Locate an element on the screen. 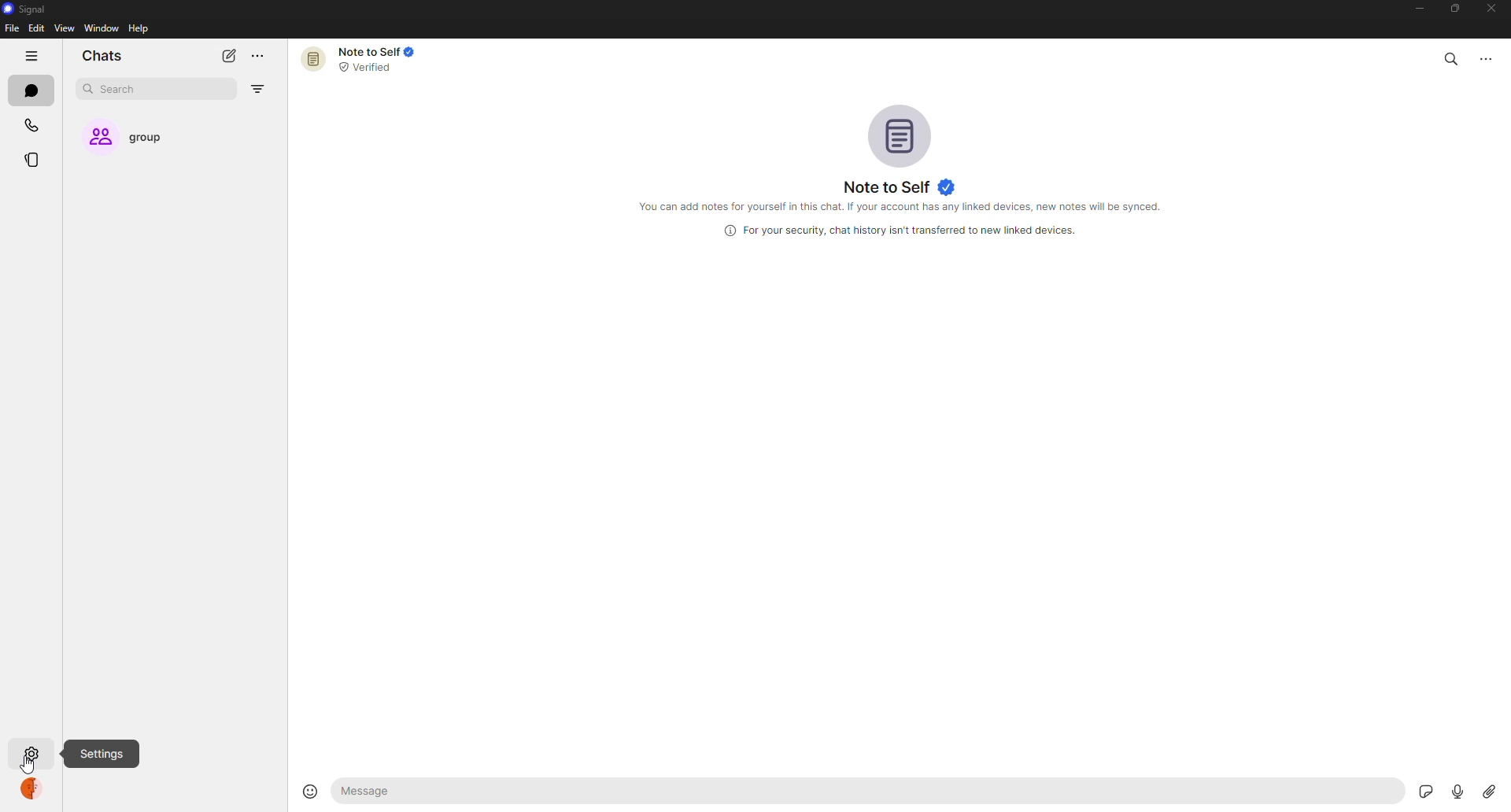 The height and width of the screenshot is (812, 1511). window is located at coordinates (102, 29).